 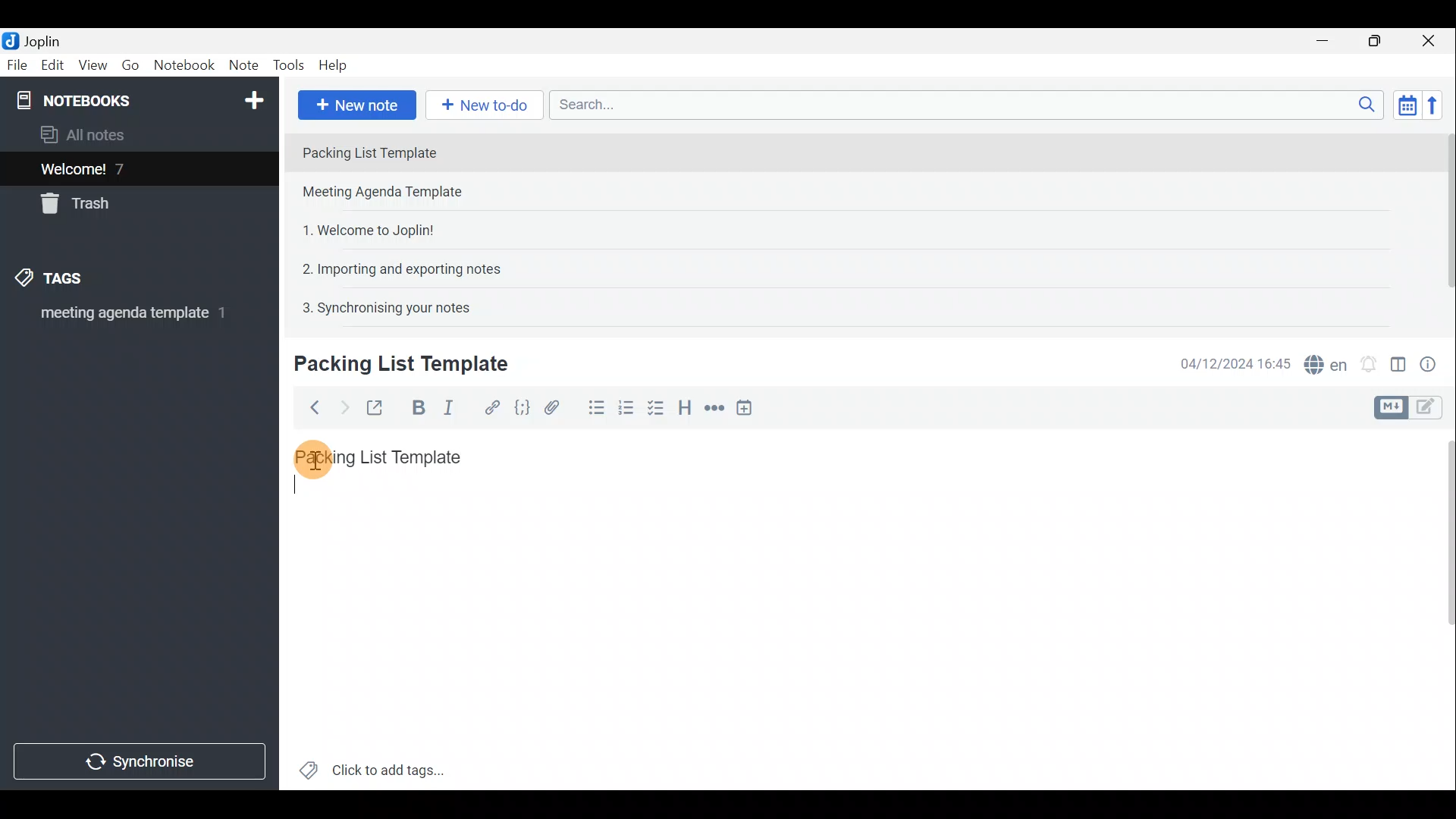 I want to click on All notes, so click(x=88, y=134).